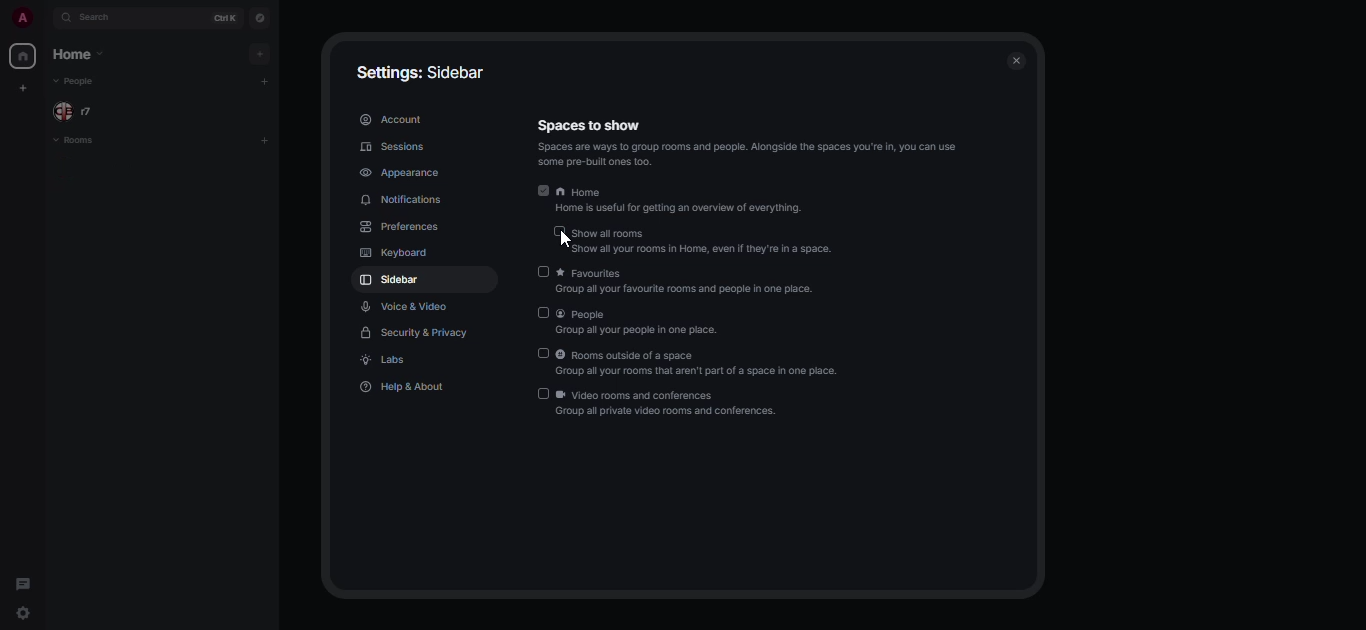  What do you see at coordinates (542, 272) in the screenshot?
I see `disabled` at bounding box center [542, 272].